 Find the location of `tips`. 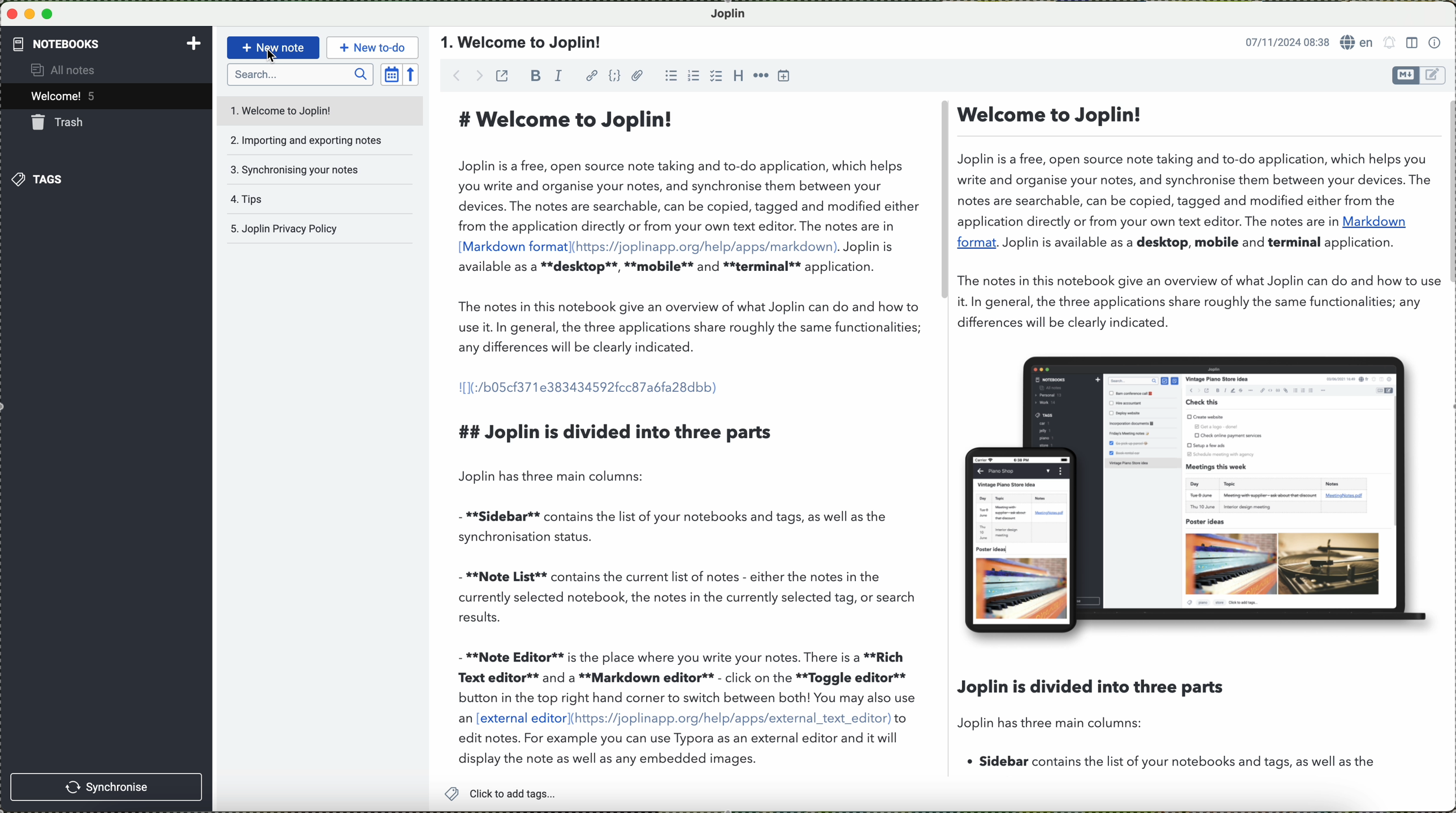

tips is located at coordinates (302, 200).